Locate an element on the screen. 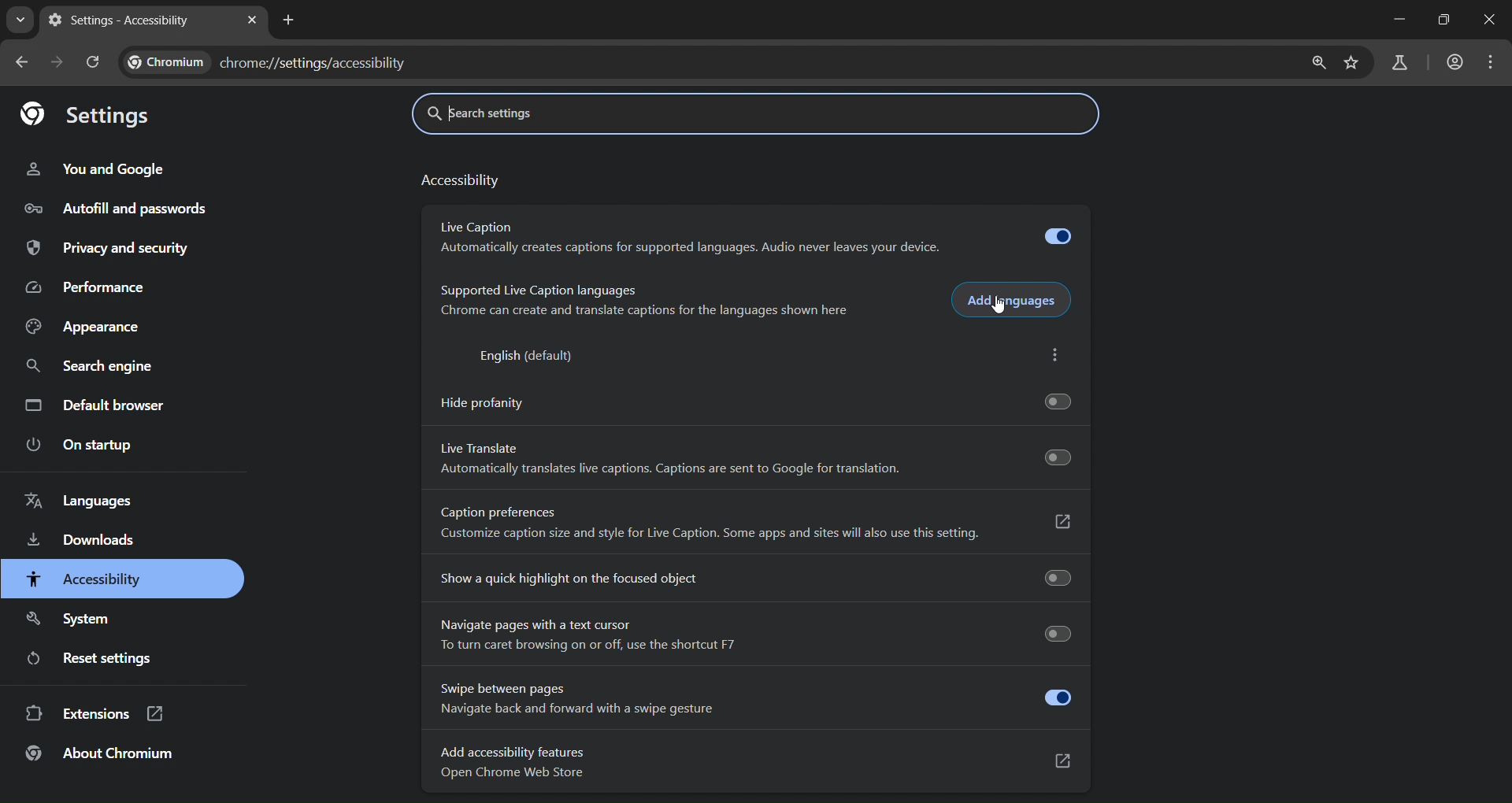  restore down is located at coordinates (1442, 19).